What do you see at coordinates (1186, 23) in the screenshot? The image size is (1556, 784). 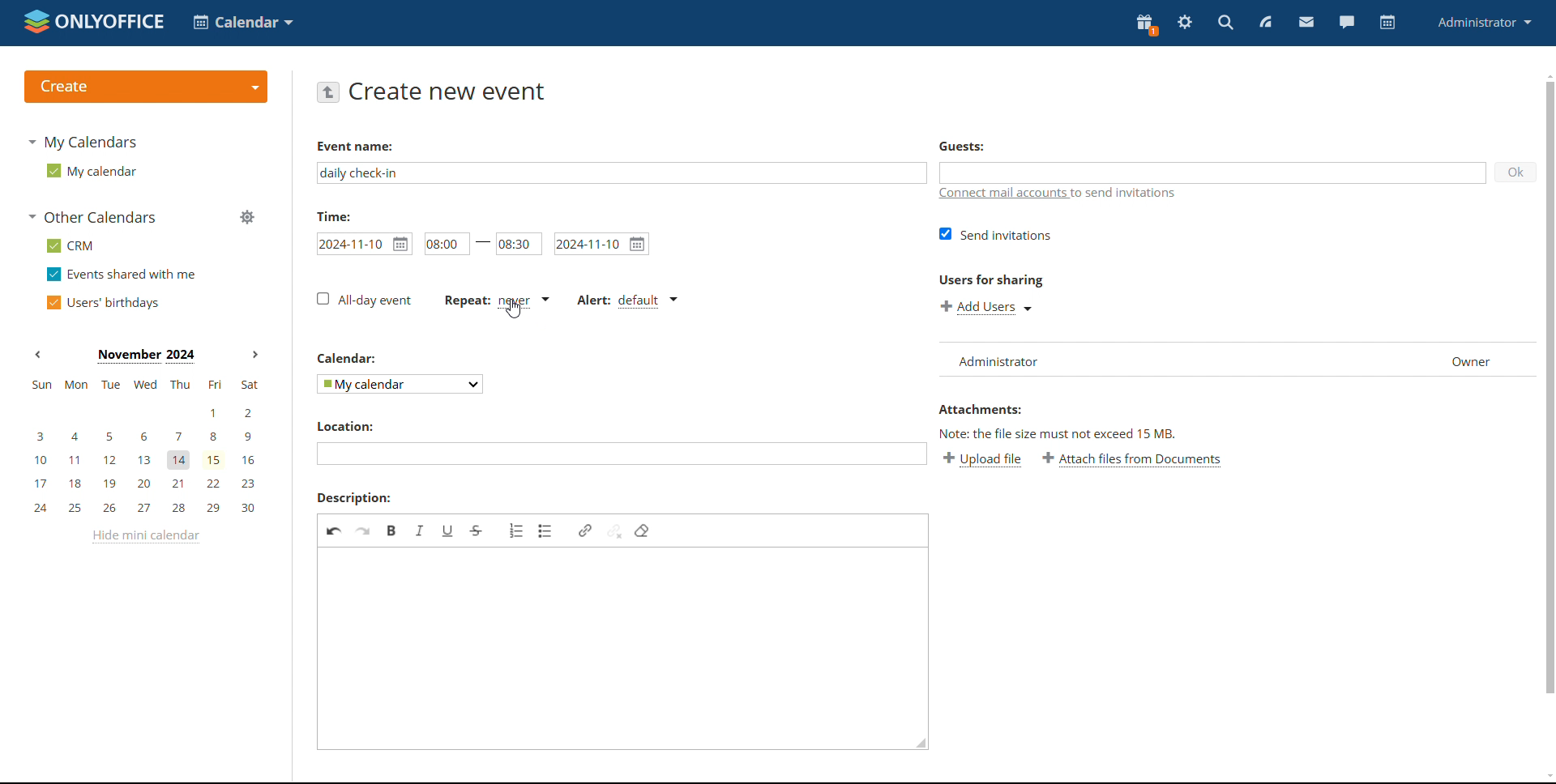 I see `settings` at bounding box center [1186, 23].